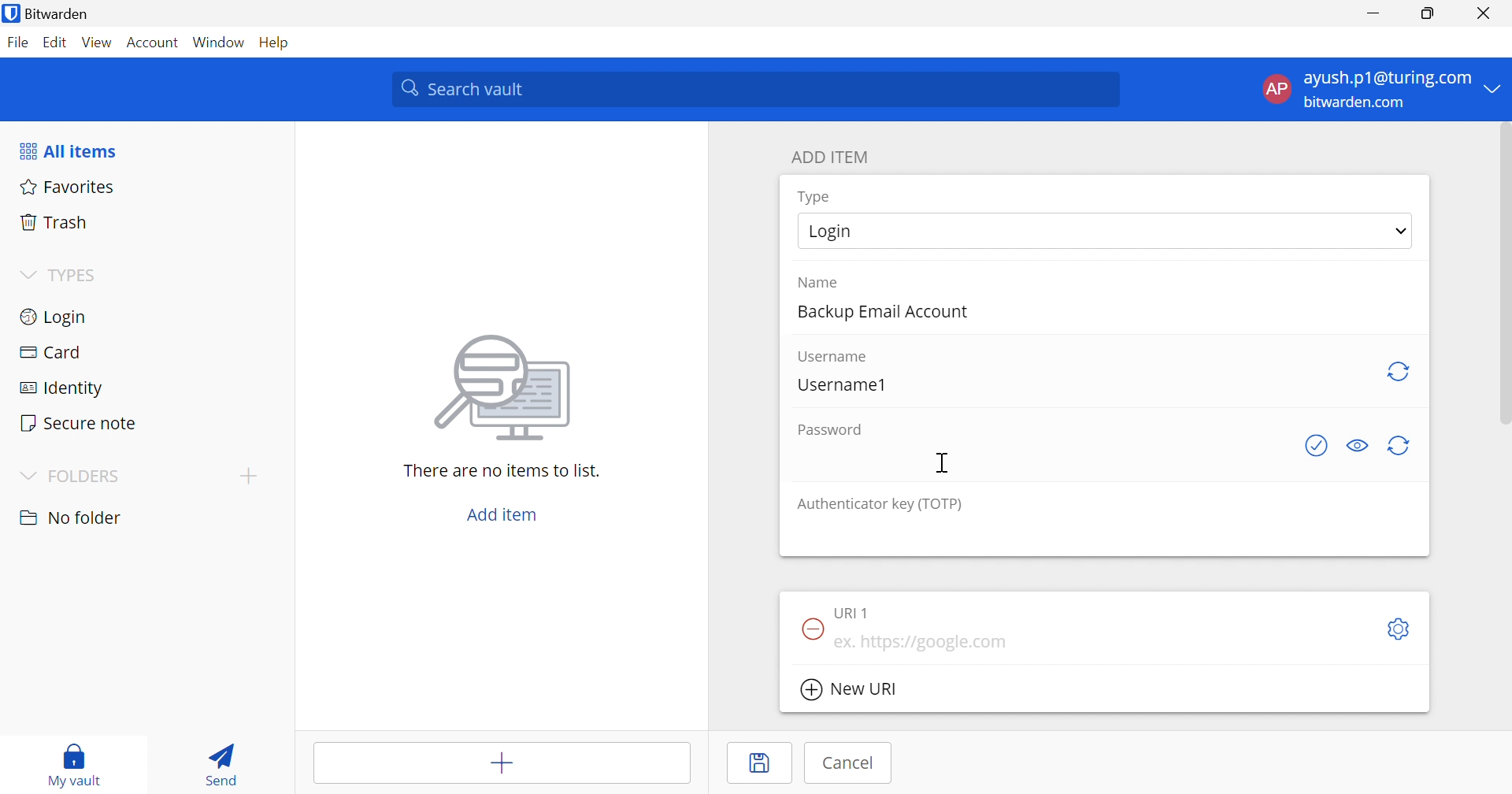 The width and height of the screenshot is (1512, 794). Describe the element at coordinates (842, 384) in the screenshot. I see `Username1` at that location.